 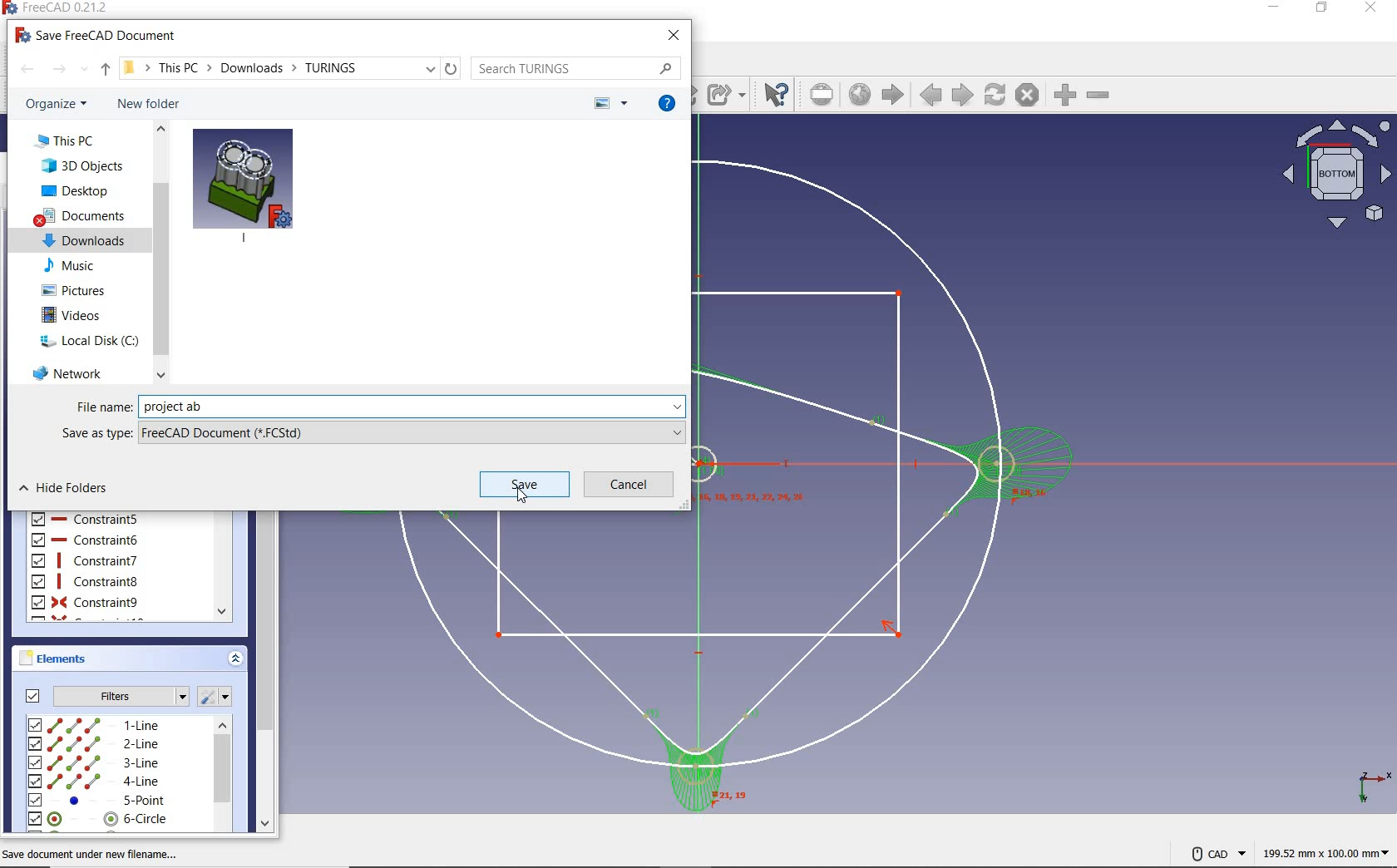 I want to click on bottom view, so click(x=1335, y=175).